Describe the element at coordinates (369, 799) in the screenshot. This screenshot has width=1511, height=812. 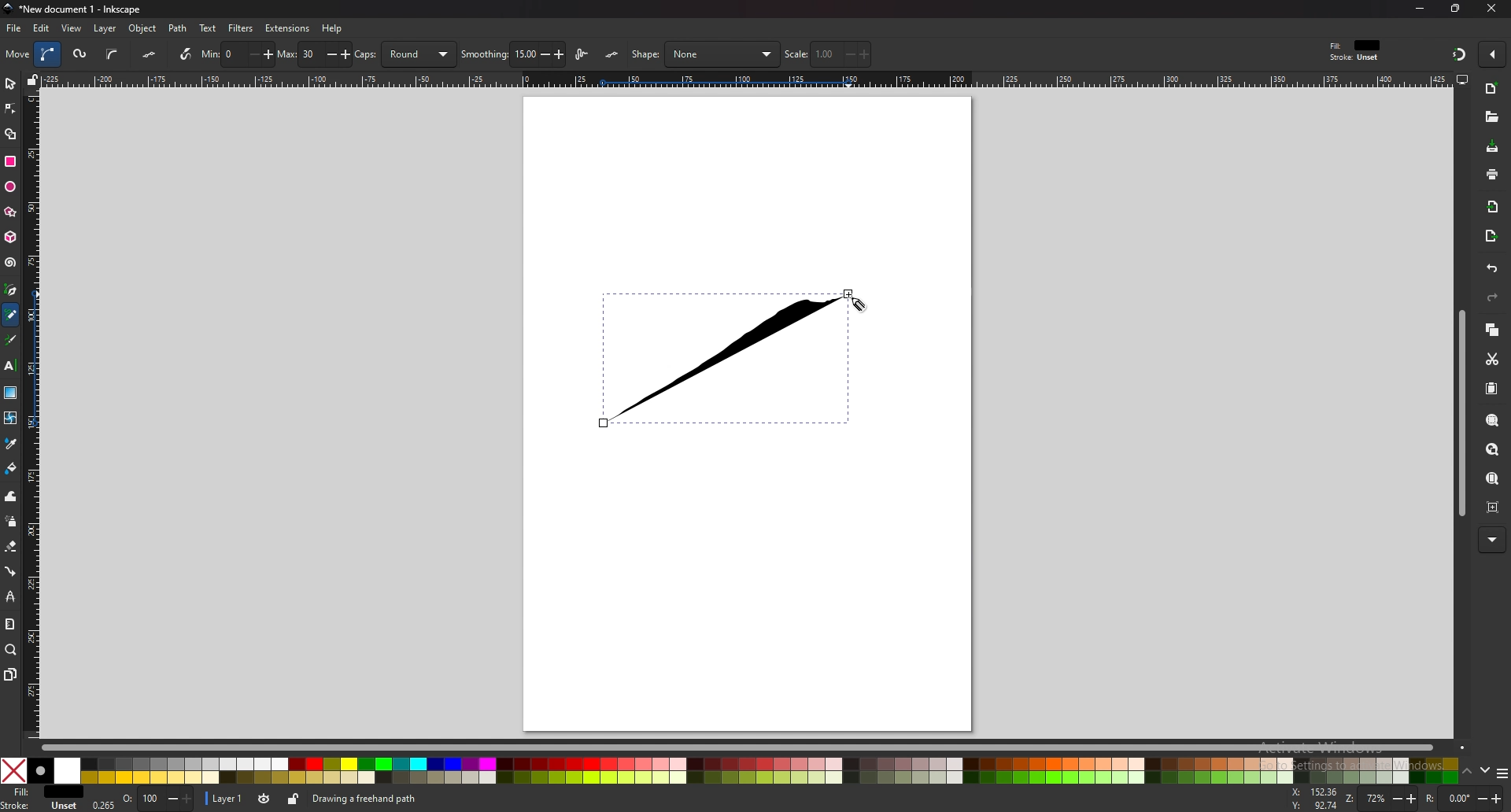
I see `info` at that location.